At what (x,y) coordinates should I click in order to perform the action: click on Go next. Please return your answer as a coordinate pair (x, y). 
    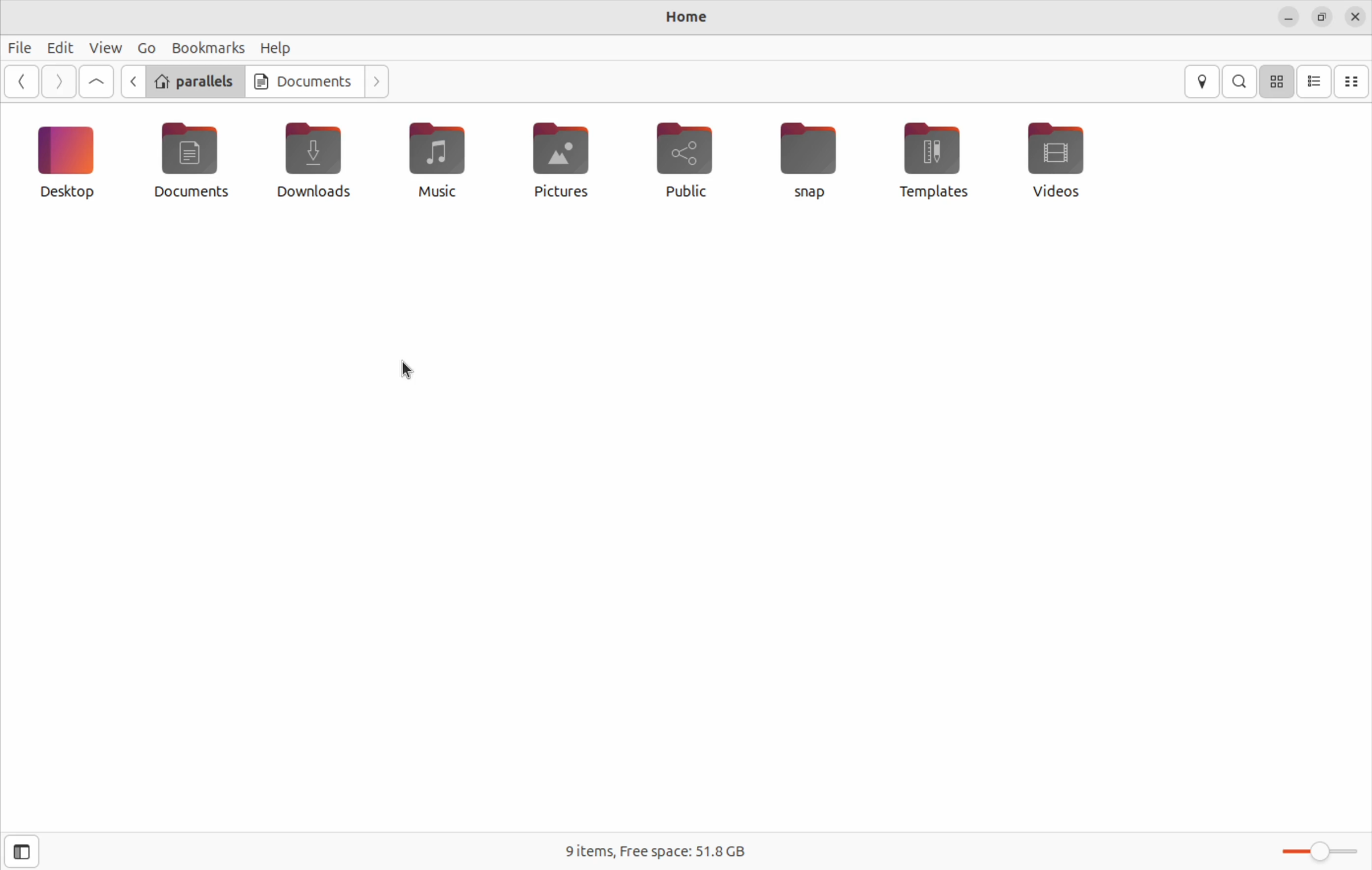
    Looking at the image, I should click on (59, 81).